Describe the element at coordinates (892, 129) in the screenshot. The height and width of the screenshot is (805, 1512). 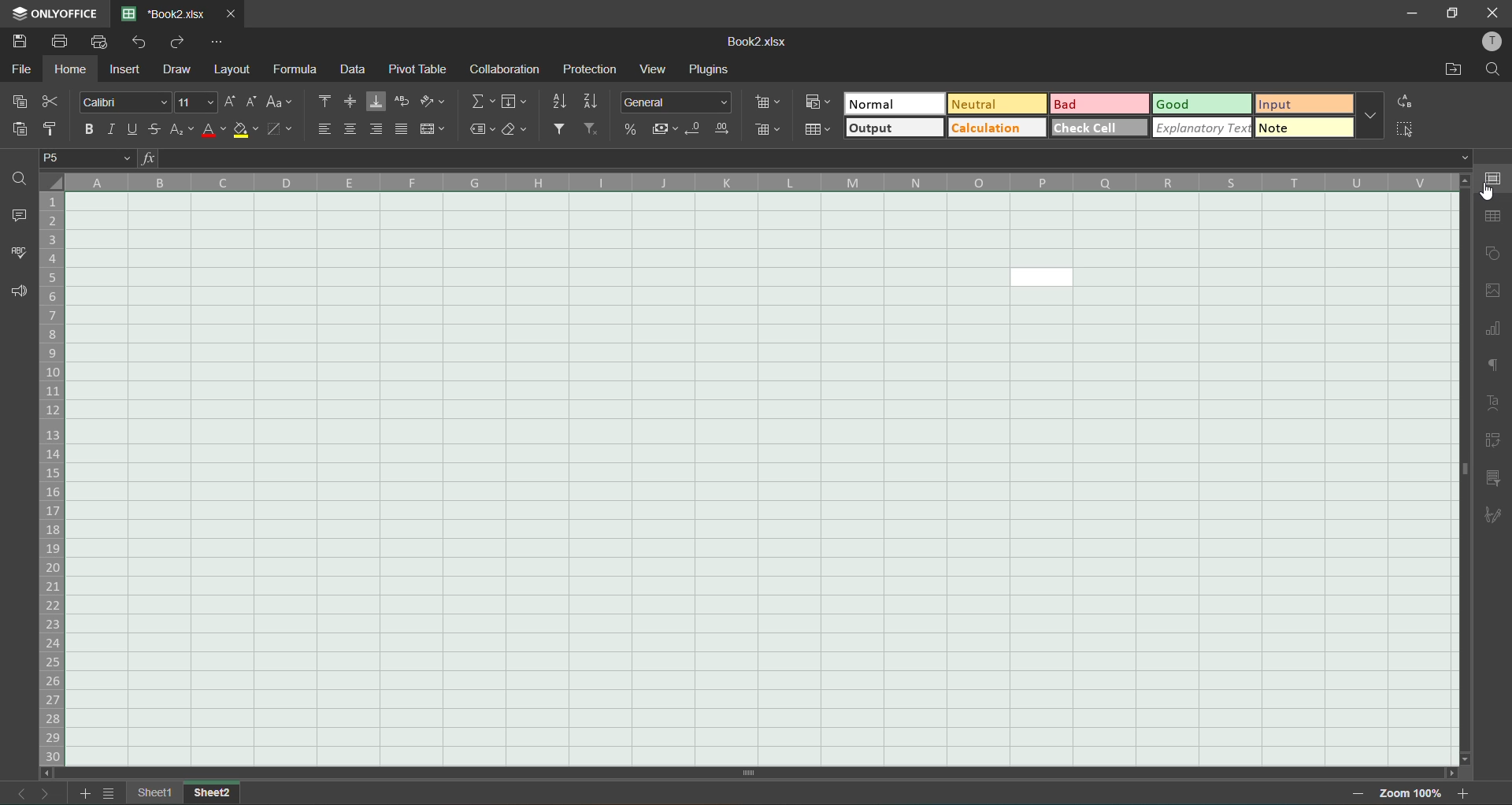
I see `output` at that location.